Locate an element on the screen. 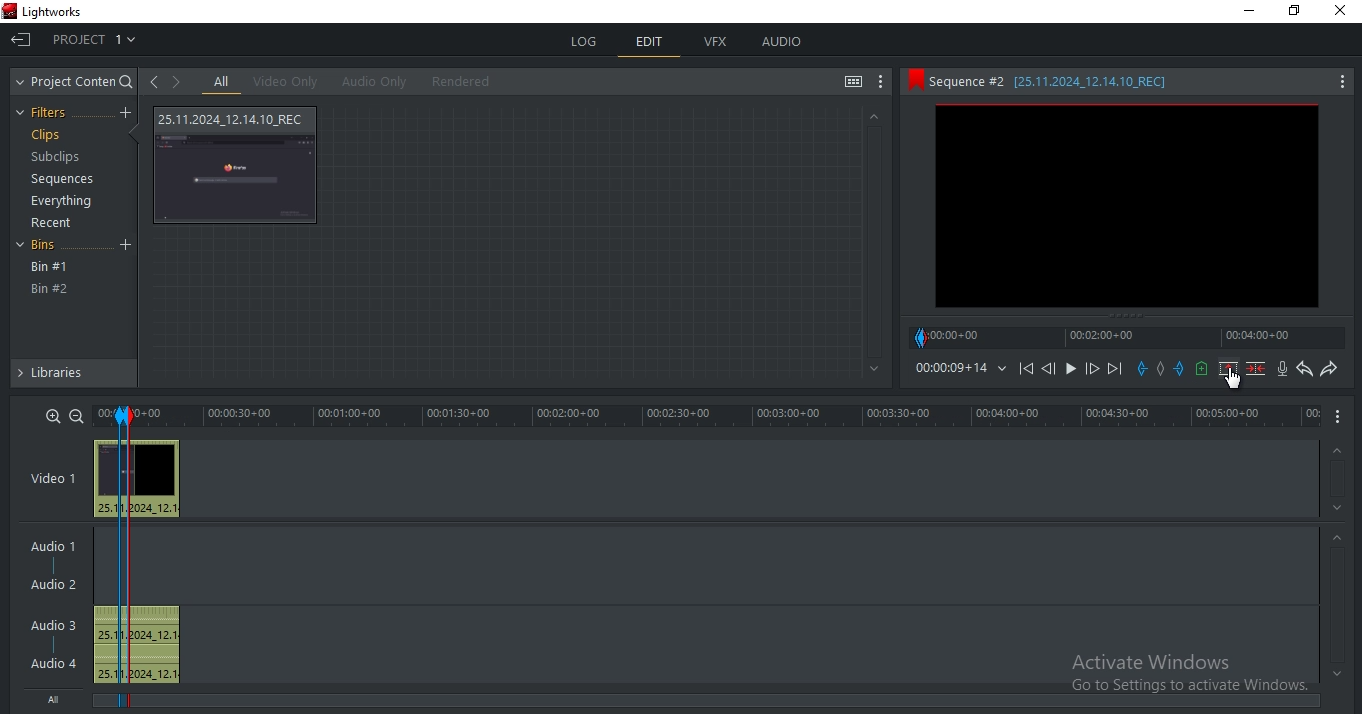  go to previous viewed clip is located at coordinates (153, 81).